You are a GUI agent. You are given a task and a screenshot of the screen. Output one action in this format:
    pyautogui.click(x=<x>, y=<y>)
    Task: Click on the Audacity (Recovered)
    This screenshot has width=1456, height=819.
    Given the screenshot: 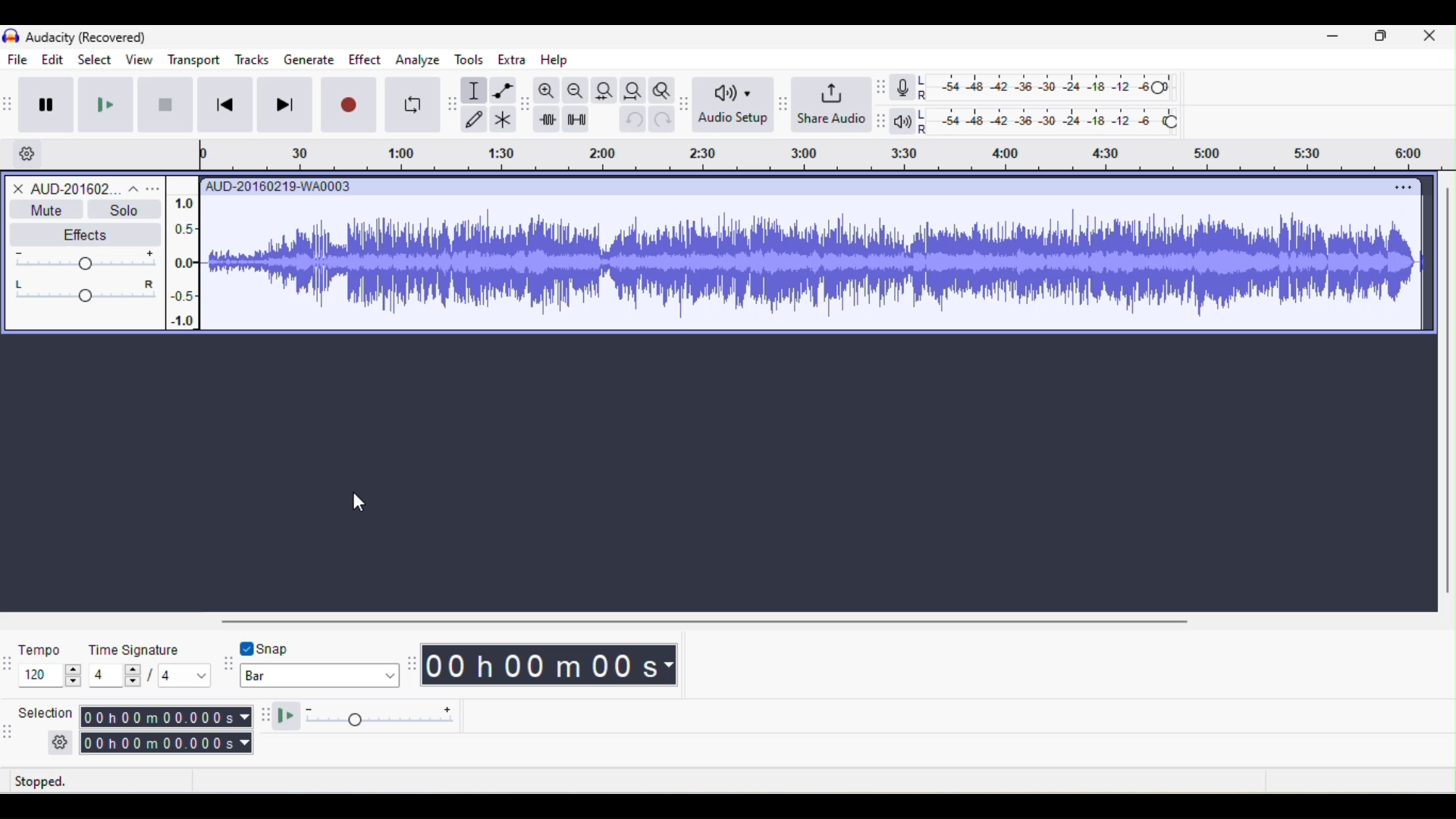 What is the action you would take?
    pyautogui.click(x=86, y=37)
    